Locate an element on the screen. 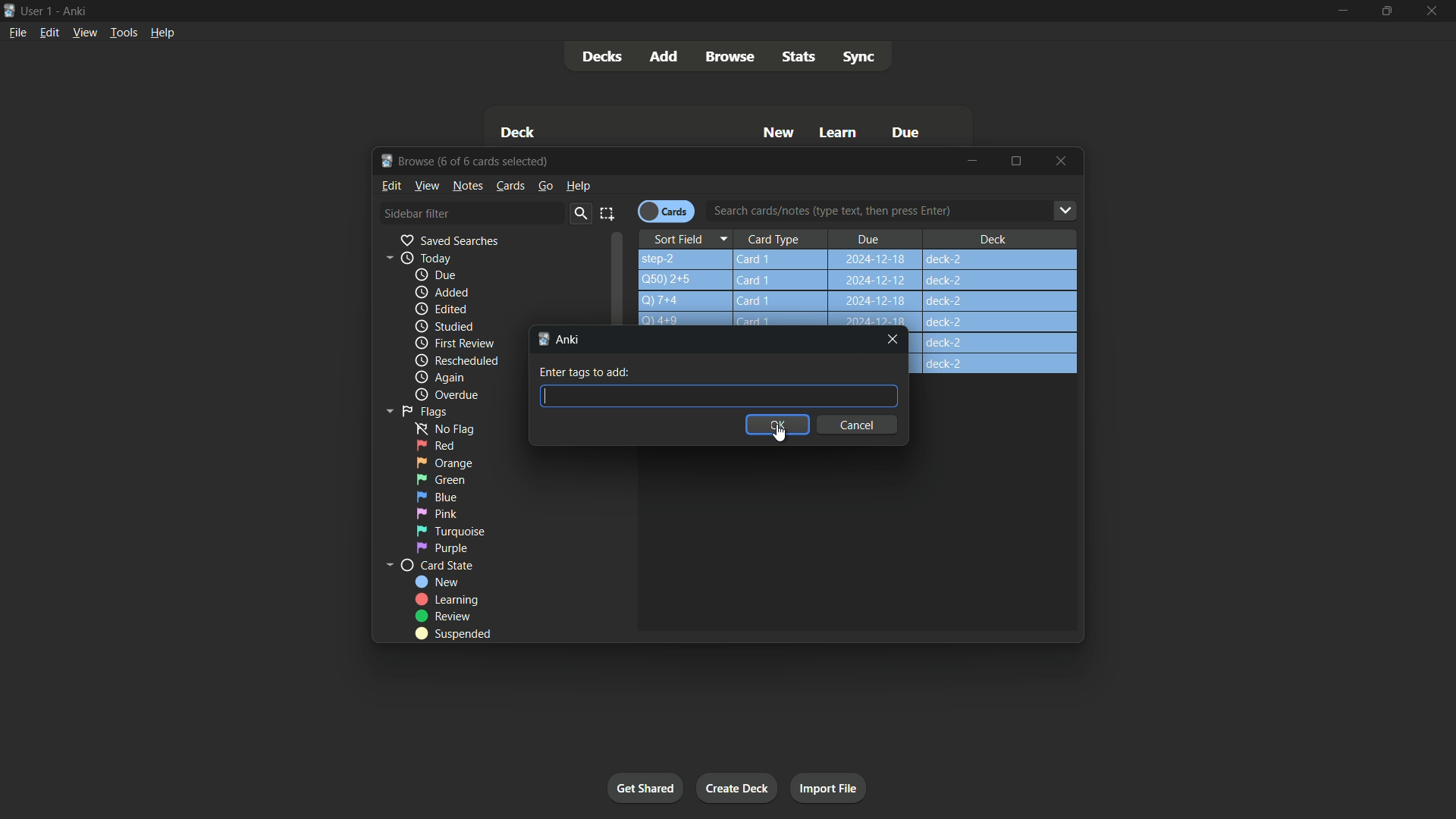 Image resolution: width=1456 pixels, height=819 pixels. due is located at coordinates (436, 276).